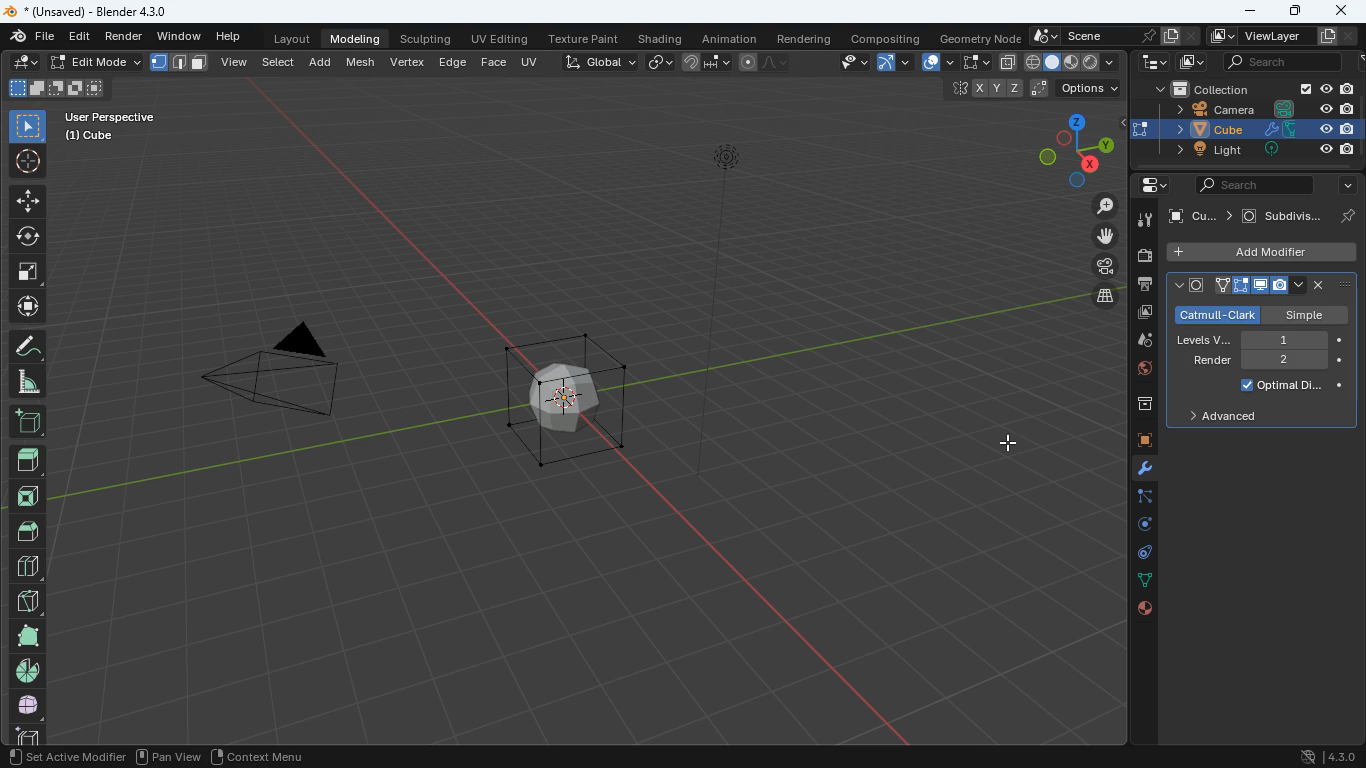 The height and width of the screenshot is (768, 1366). Describe the element at coordinates (23, 735) in the screenshot. I see `cube` at that location.